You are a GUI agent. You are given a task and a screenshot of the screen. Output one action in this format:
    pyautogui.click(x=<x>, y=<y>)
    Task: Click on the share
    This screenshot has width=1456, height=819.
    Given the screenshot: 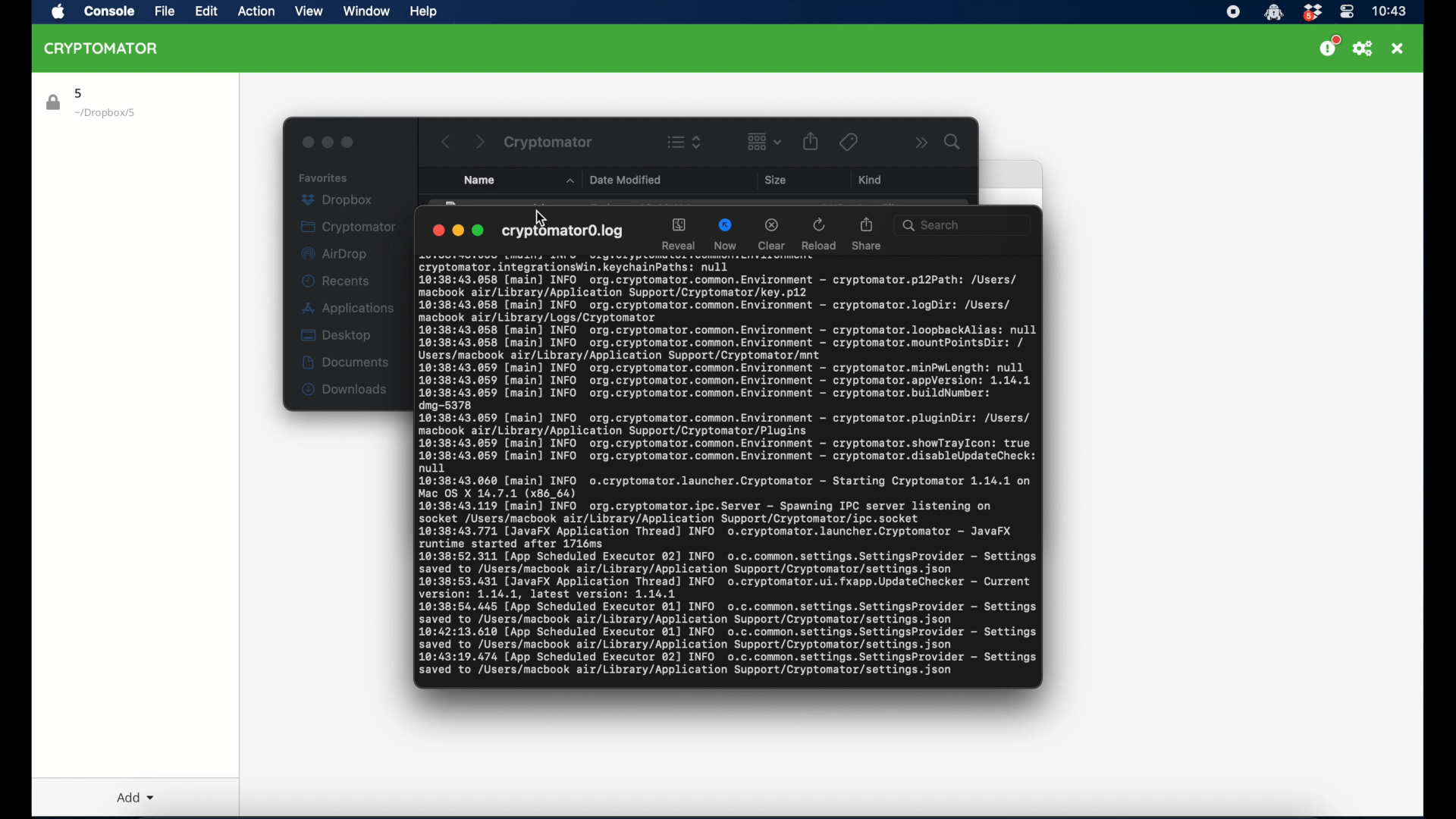 What is the action you would take?
    pyautogui.click(x=865, y=246)
    